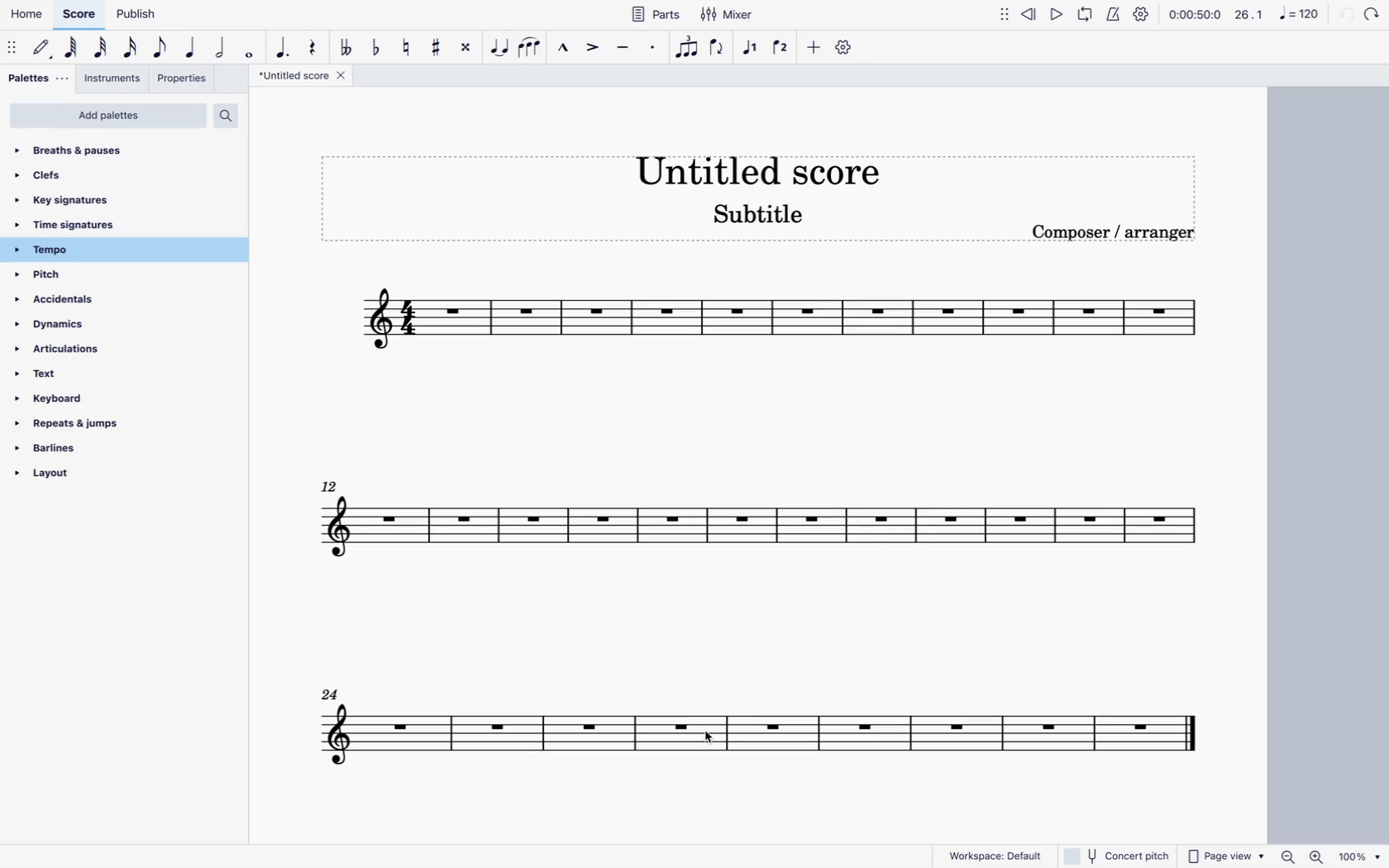  Describe the element at coordinates (719, 48) in the screenshot. I see `flip direction` at that location.